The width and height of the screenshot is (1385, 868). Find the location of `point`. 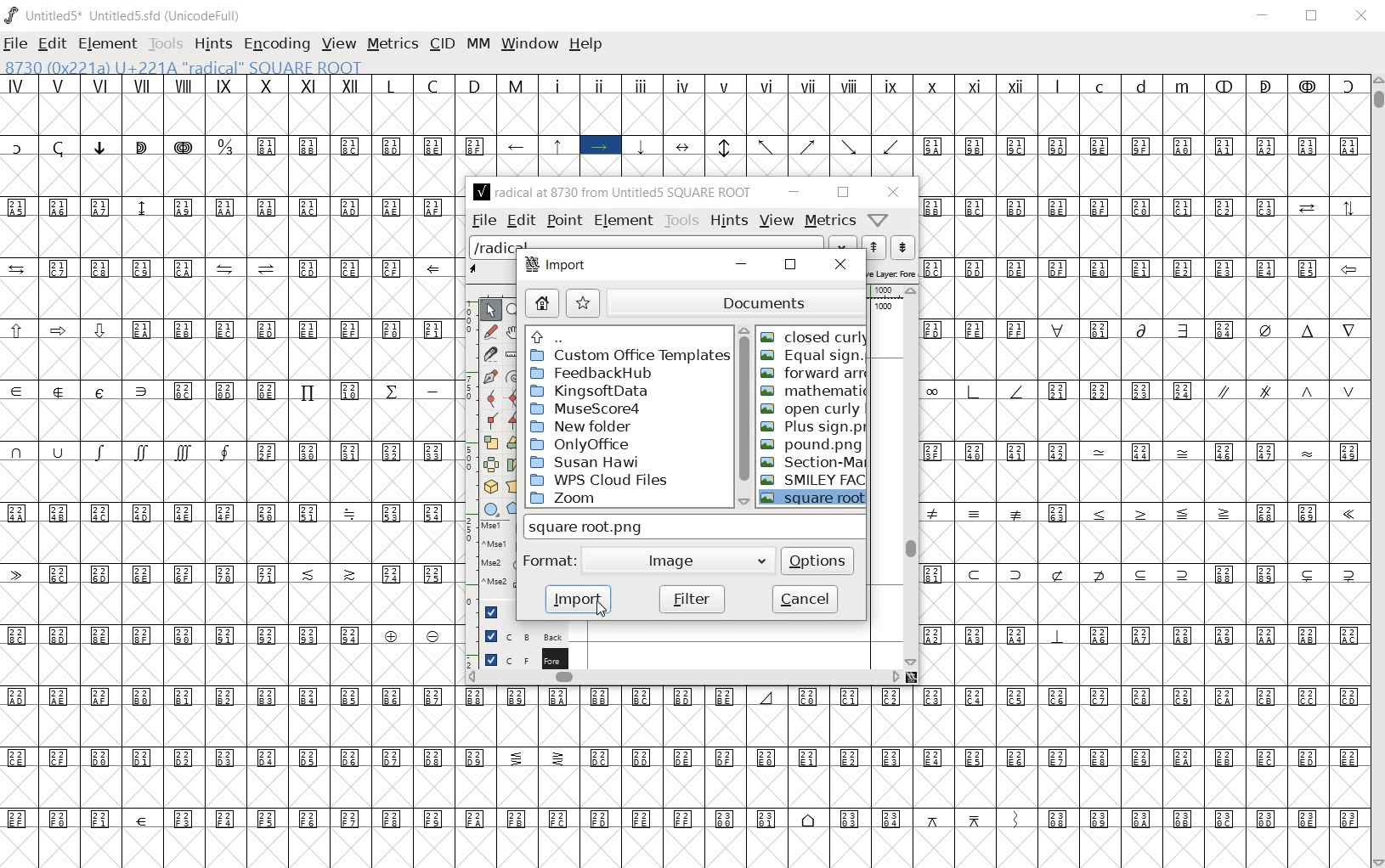

point is located at coordinates (565, 219).